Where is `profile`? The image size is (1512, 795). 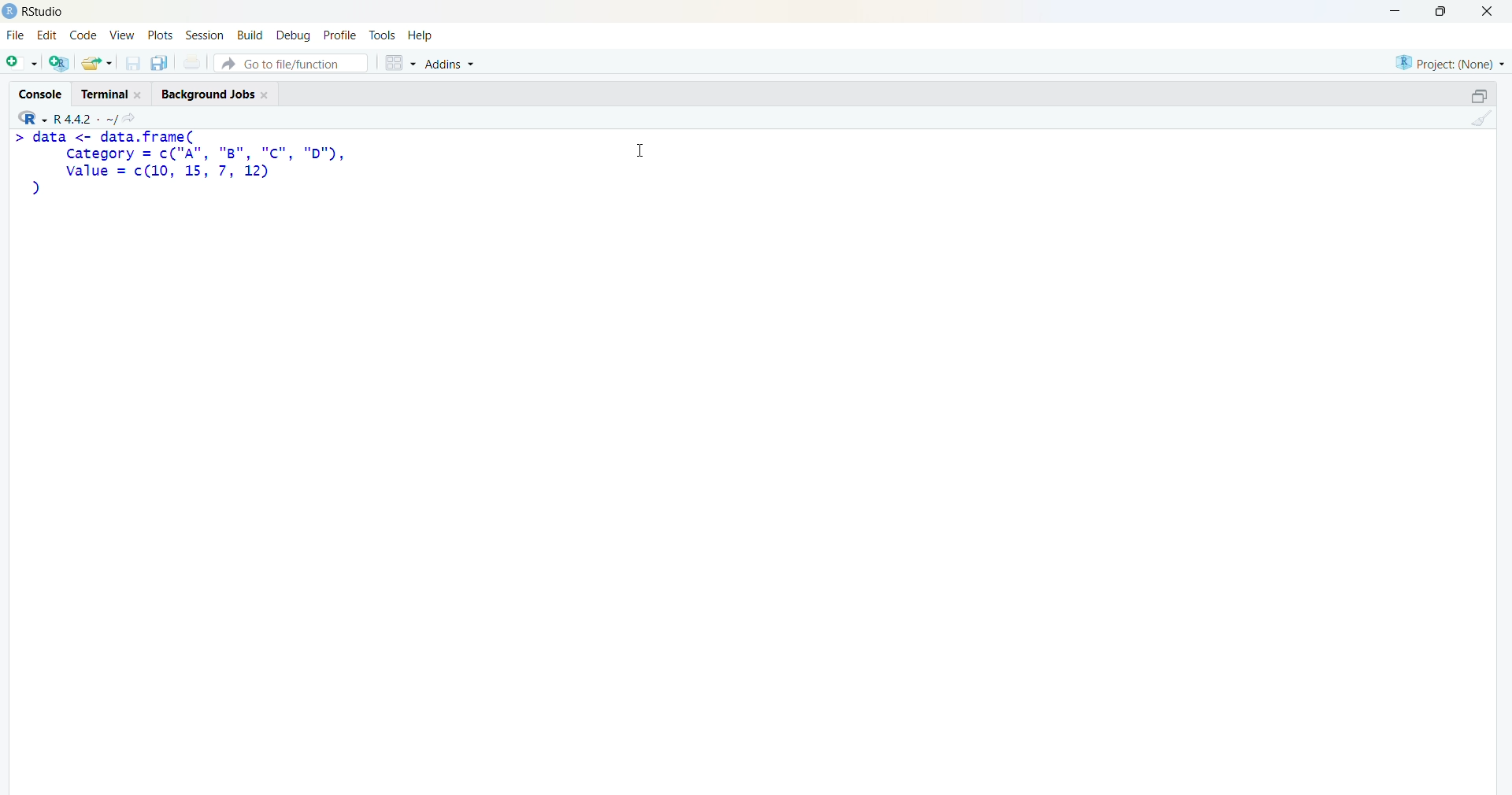
profile is located at coordinates (339, 36).